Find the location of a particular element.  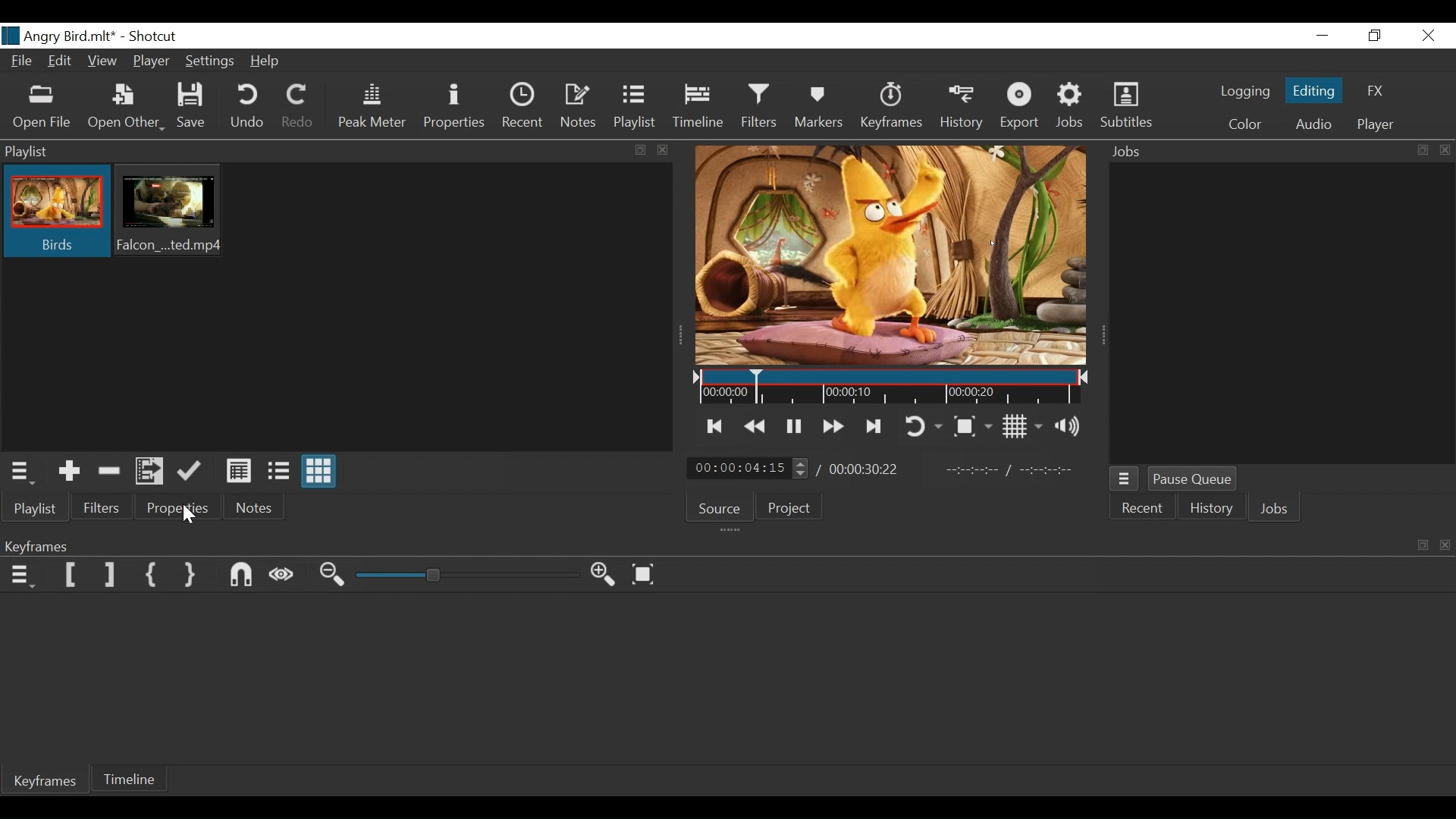

Total Duration is located at coordinates (866, 471).